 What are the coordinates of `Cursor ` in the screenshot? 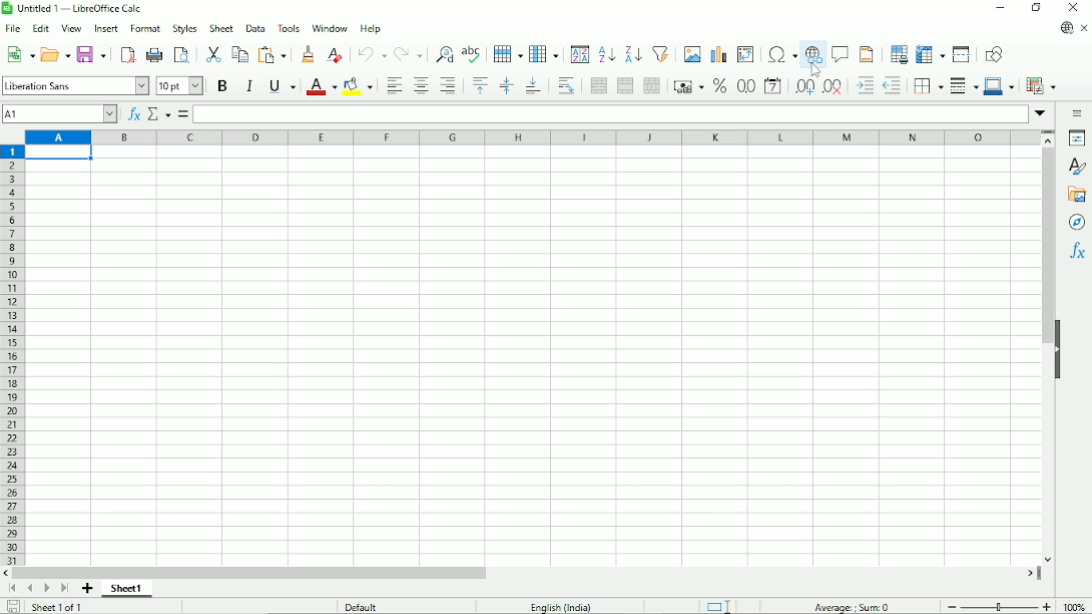 It's located at (815, 69).